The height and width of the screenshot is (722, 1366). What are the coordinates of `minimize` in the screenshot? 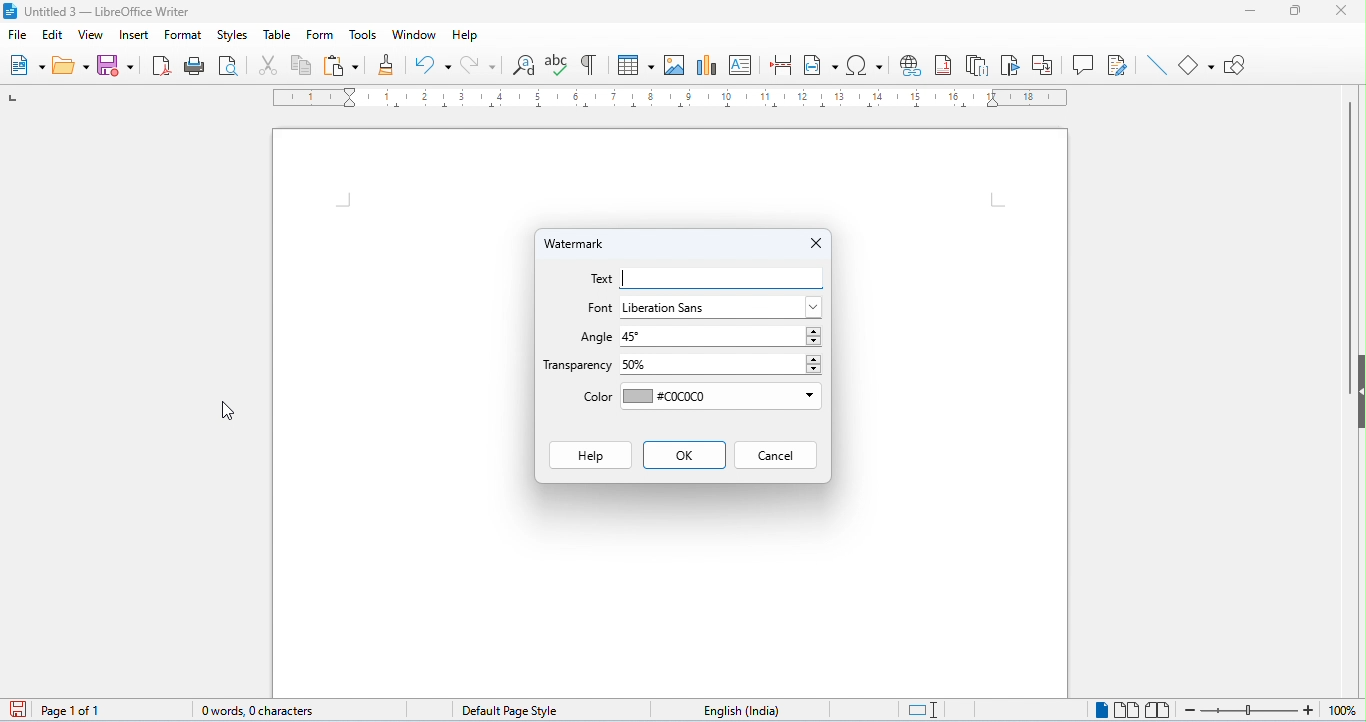 It's located at (1251, 12).